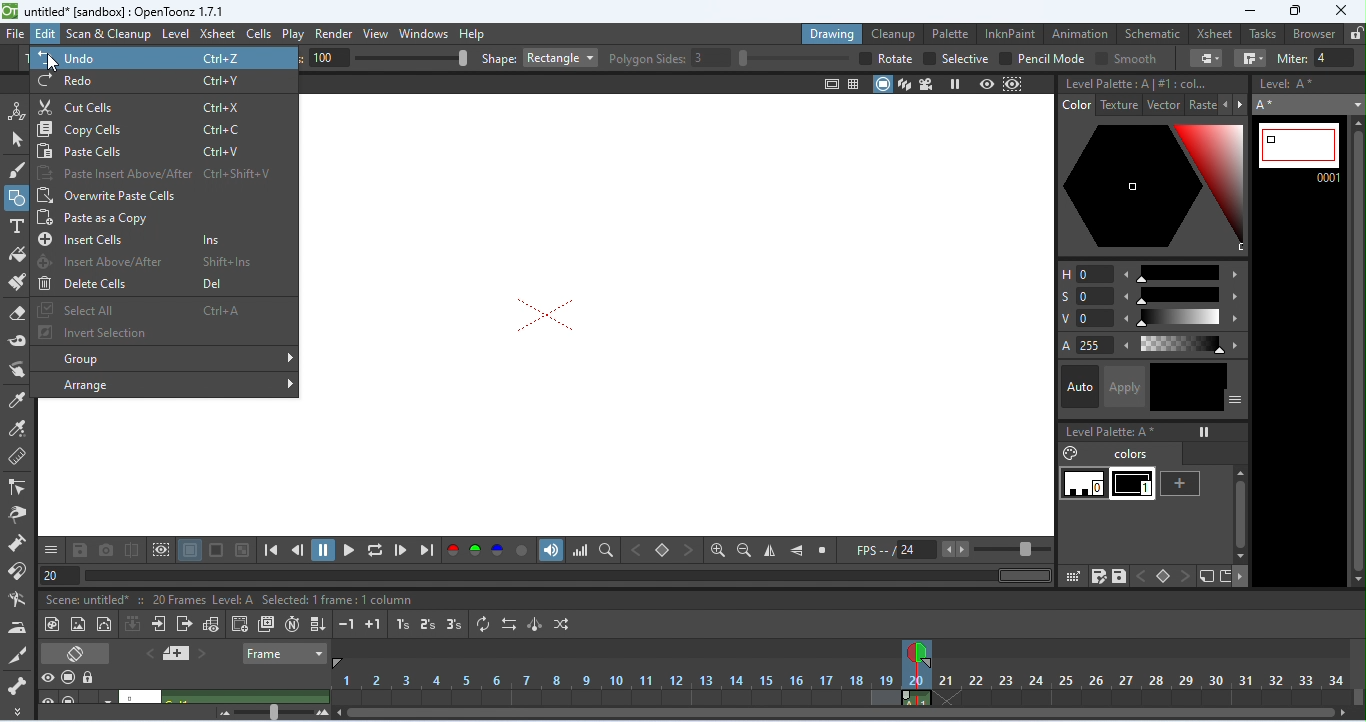 Image resolution: width=1366 pixels, height=722 pixels. What do you see at coordinates (1189, 387) in the screenshot?
I see `black` at bounding box center [1189, 387].